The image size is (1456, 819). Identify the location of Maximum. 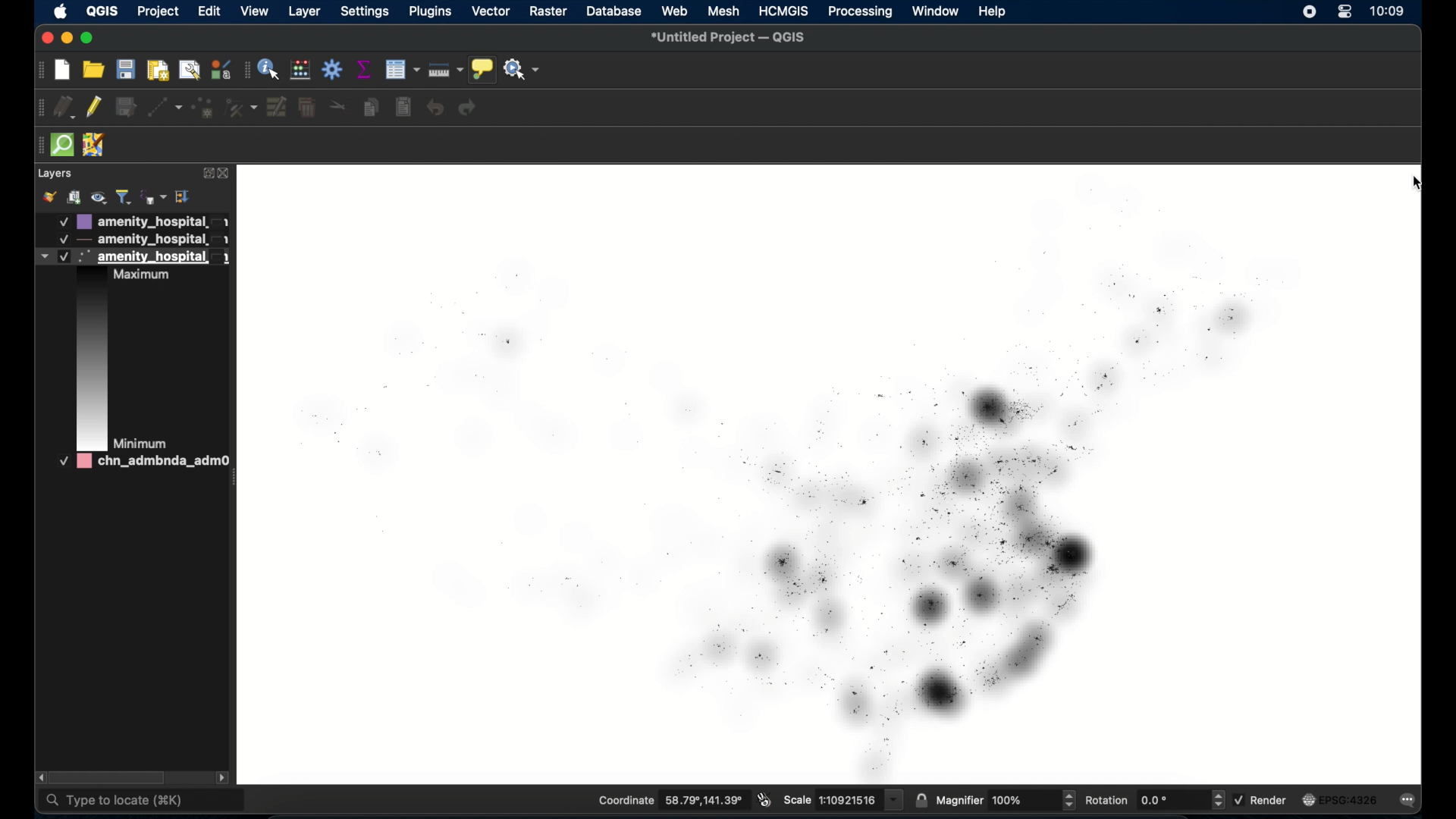
(147, 276).